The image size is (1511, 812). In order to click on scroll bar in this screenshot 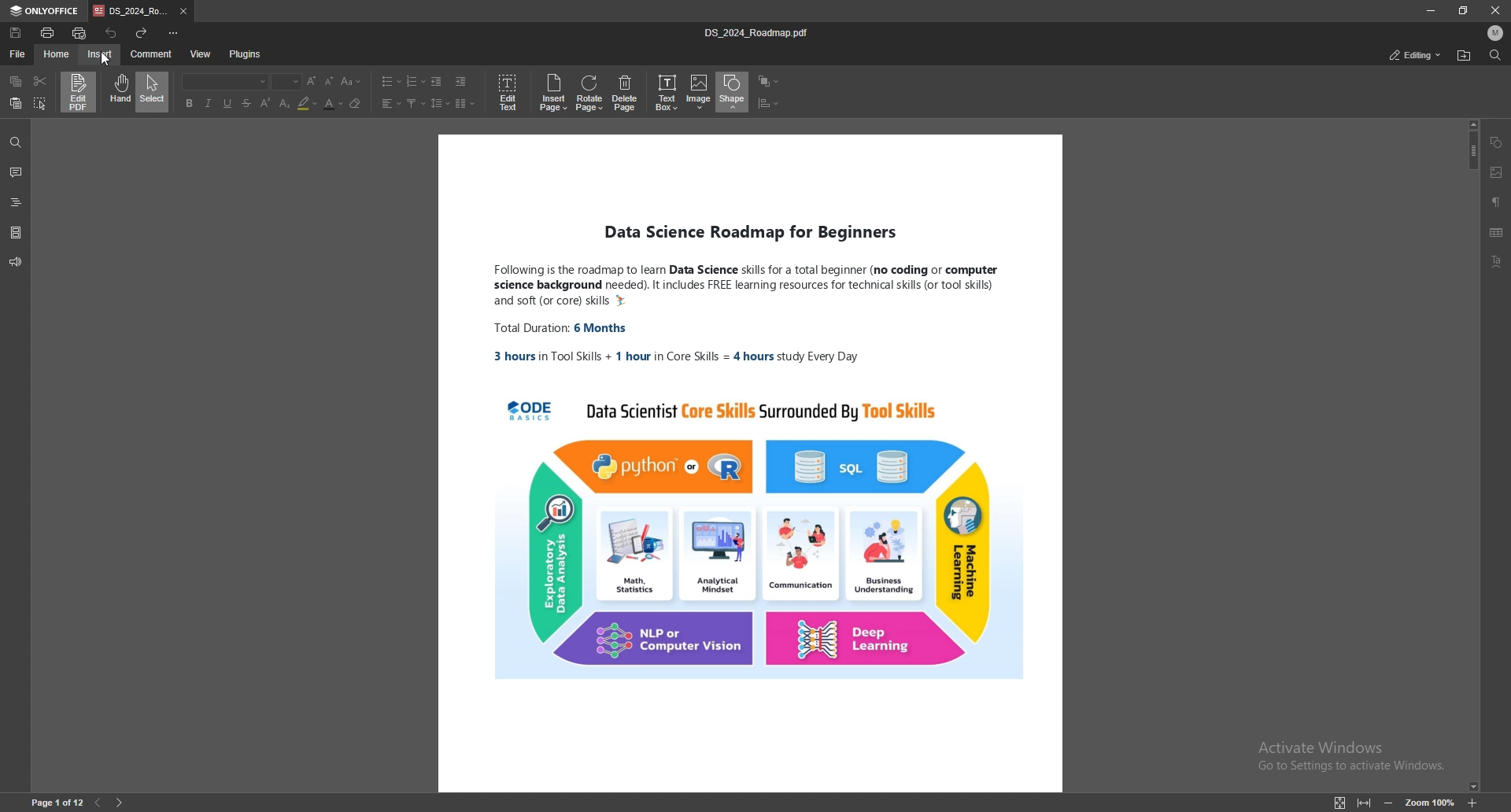, I will do `click(1471, 455)`.